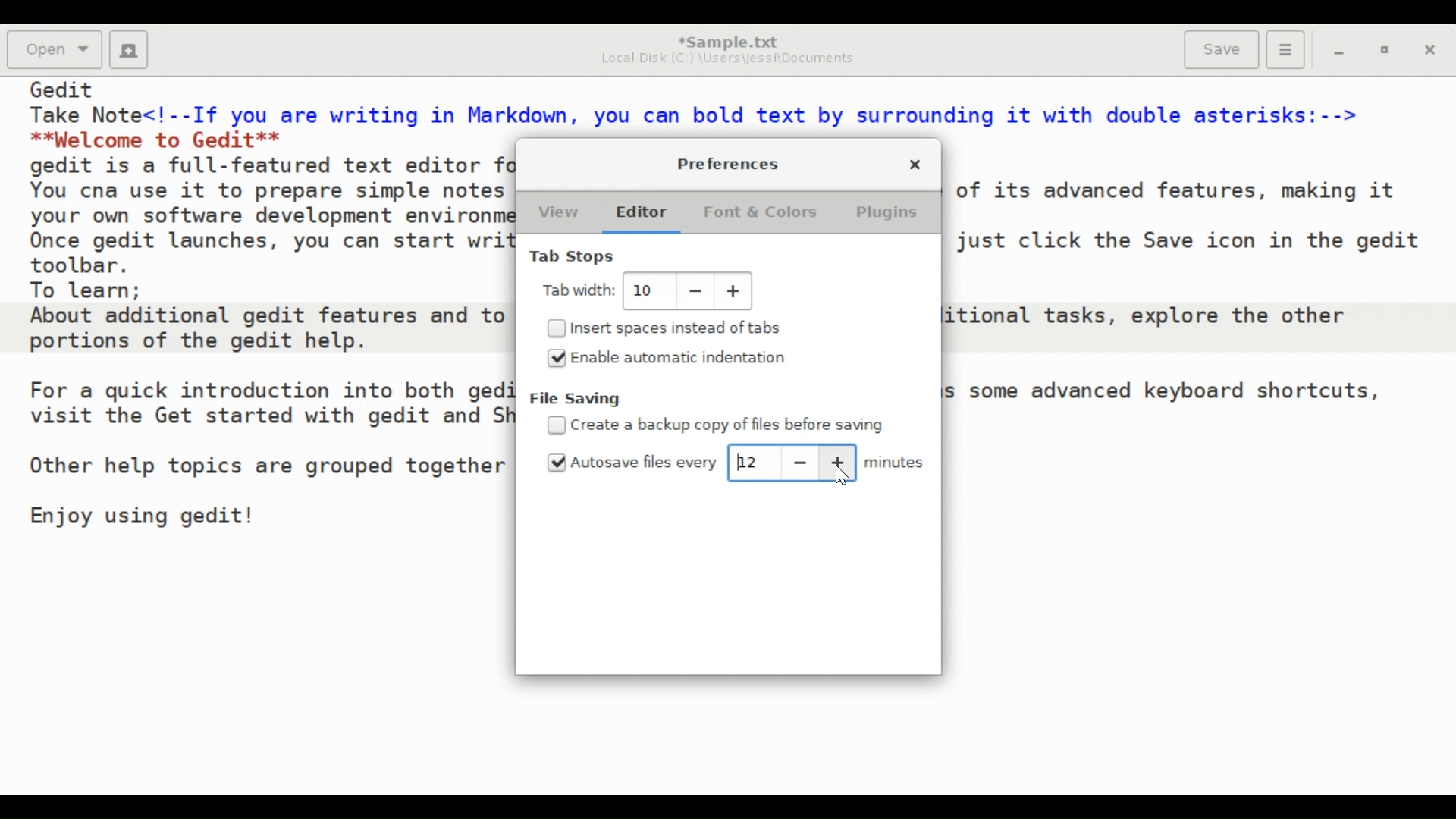 This screenshot has width=1456, height=819. What do you see at coordinates (1387, 52) in the screenshot?
I see `restore` at bounding box center [1387, 52].